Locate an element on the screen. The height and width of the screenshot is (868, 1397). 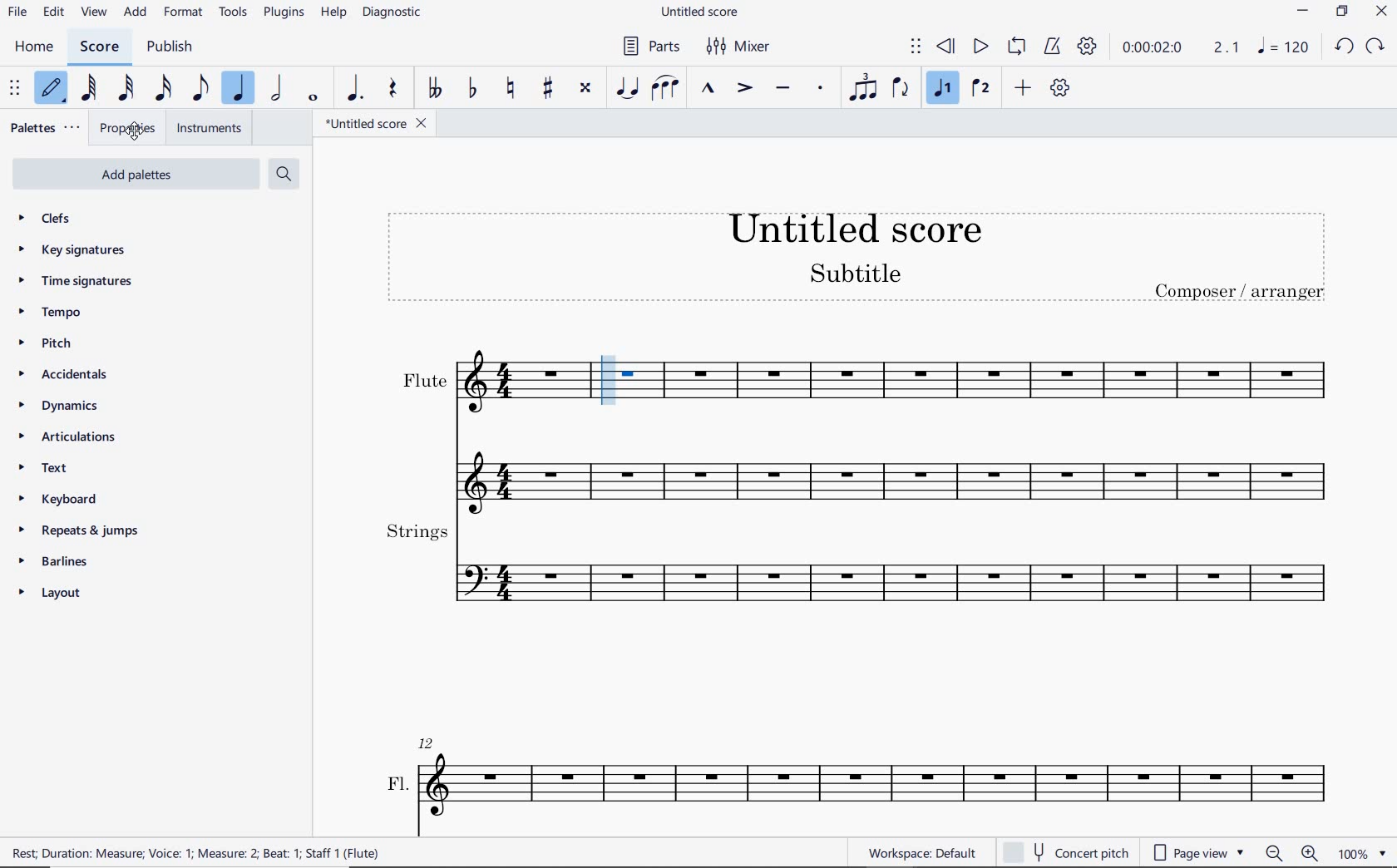
EIGHTH NOTE is located at coordinates (199, 90).